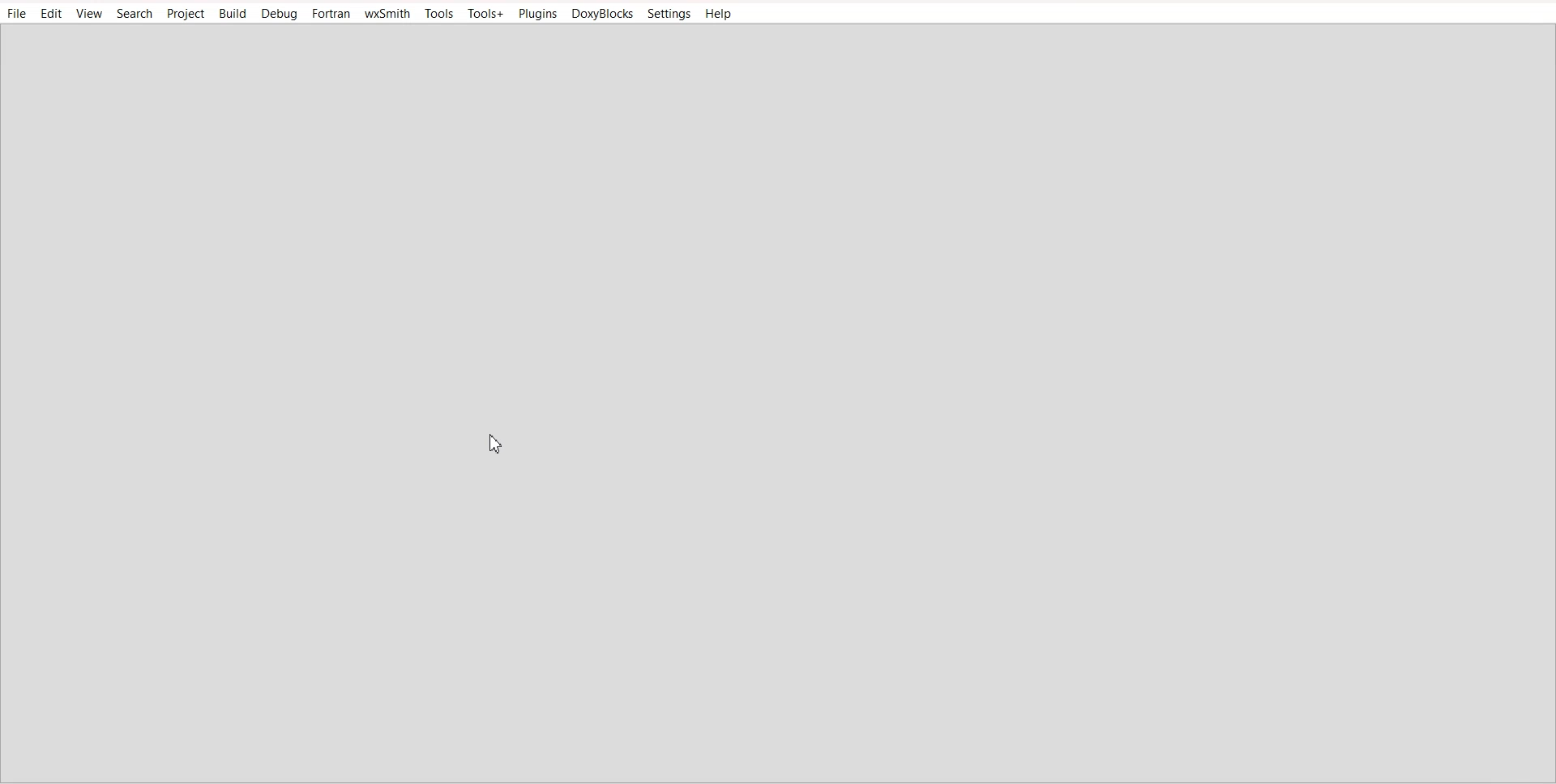 The width and height of the screenshot is (1556, 784). What do you see at coordinates (186, 13) in the screenshot?
I see `Project` at bounding box center [186, 13].